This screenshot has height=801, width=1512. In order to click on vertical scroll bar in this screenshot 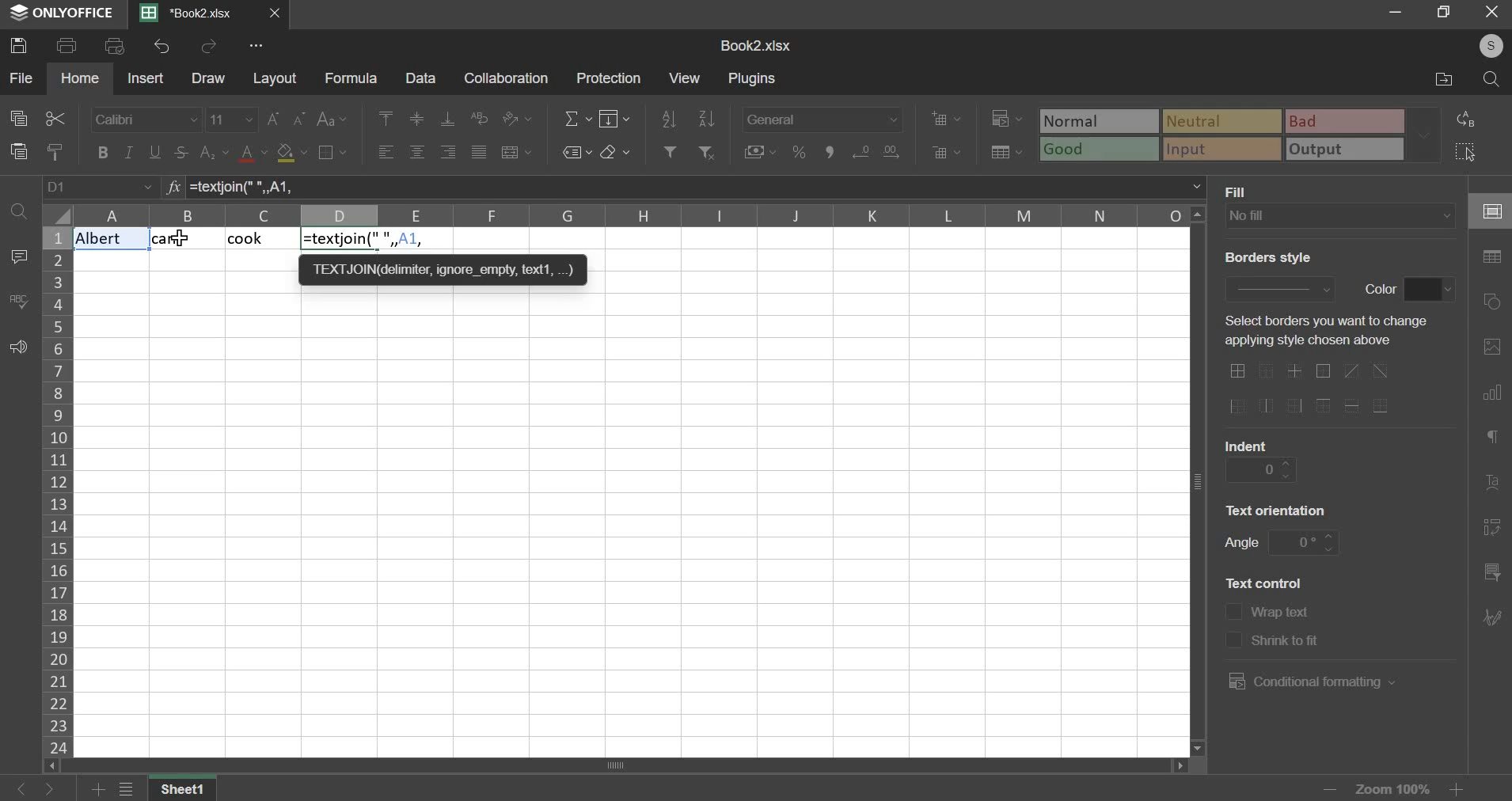, I will do `click(1201, 480)`.